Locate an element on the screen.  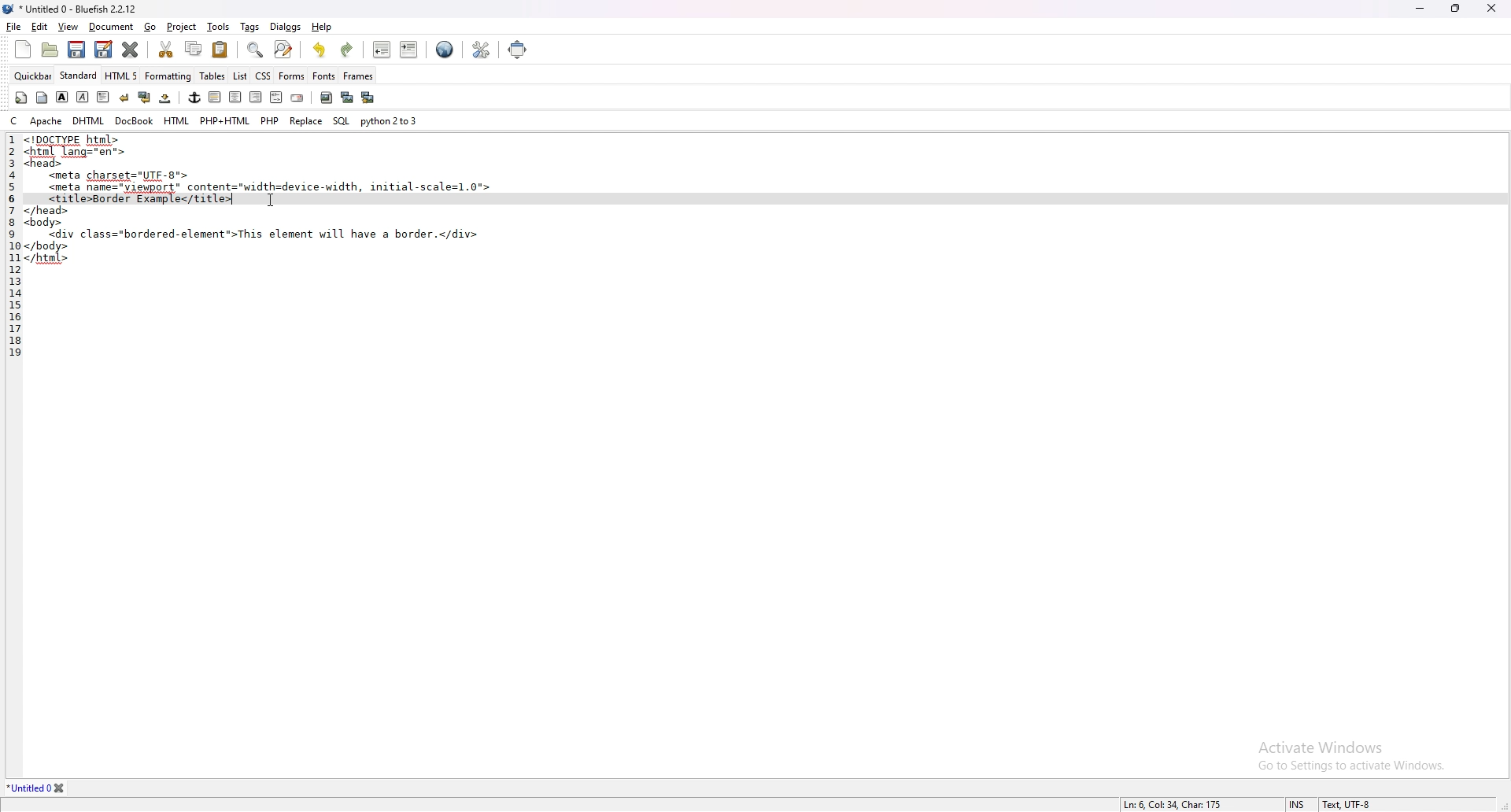
paste is located at coordinates (220, 50).